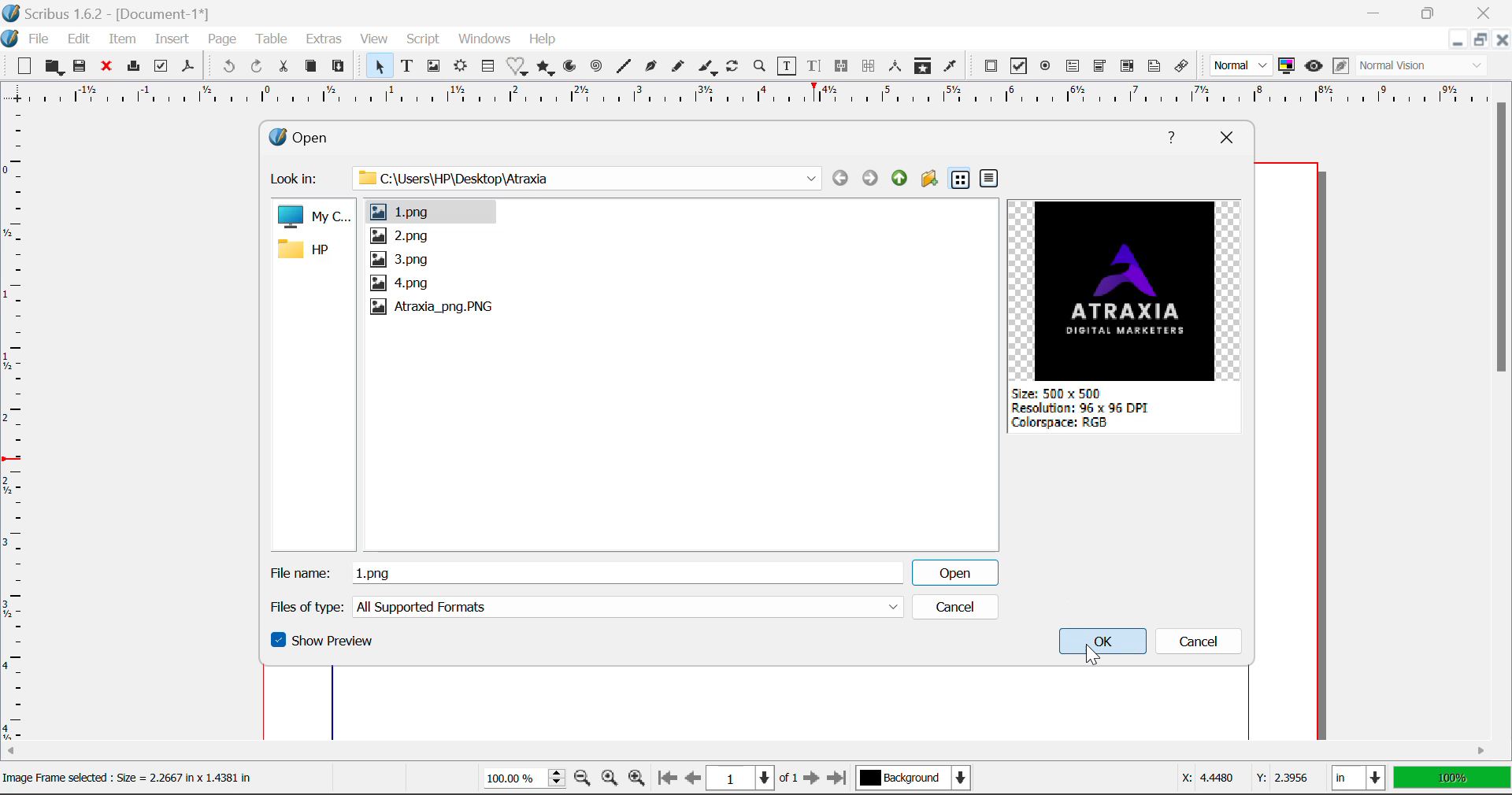  Describe the element at coordinates (1173, 135) in the screenshot. I see `Help` at that location.